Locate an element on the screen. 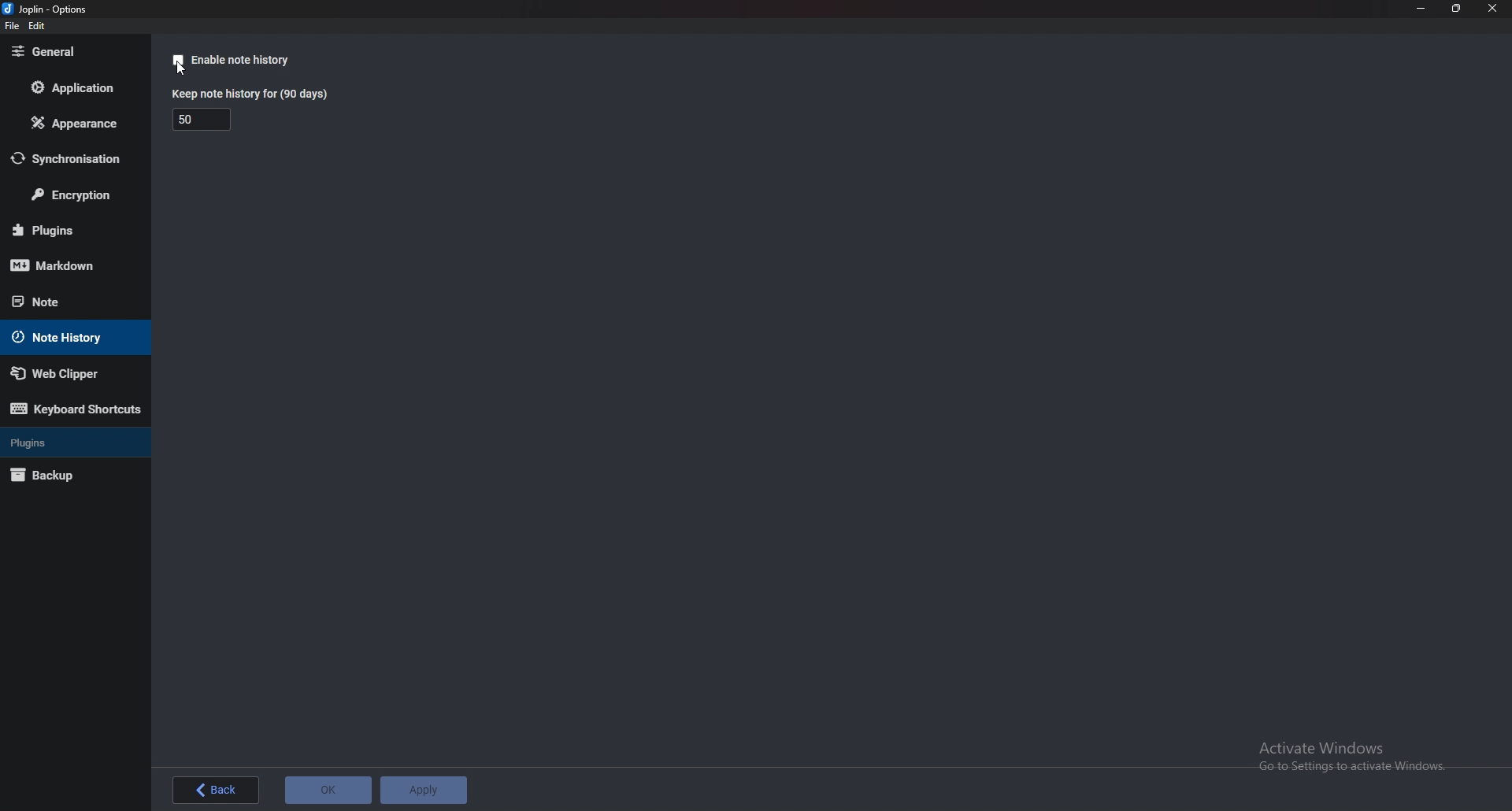 This screenshot has width=1512, height=811. back is located at coordinates (217, 791).